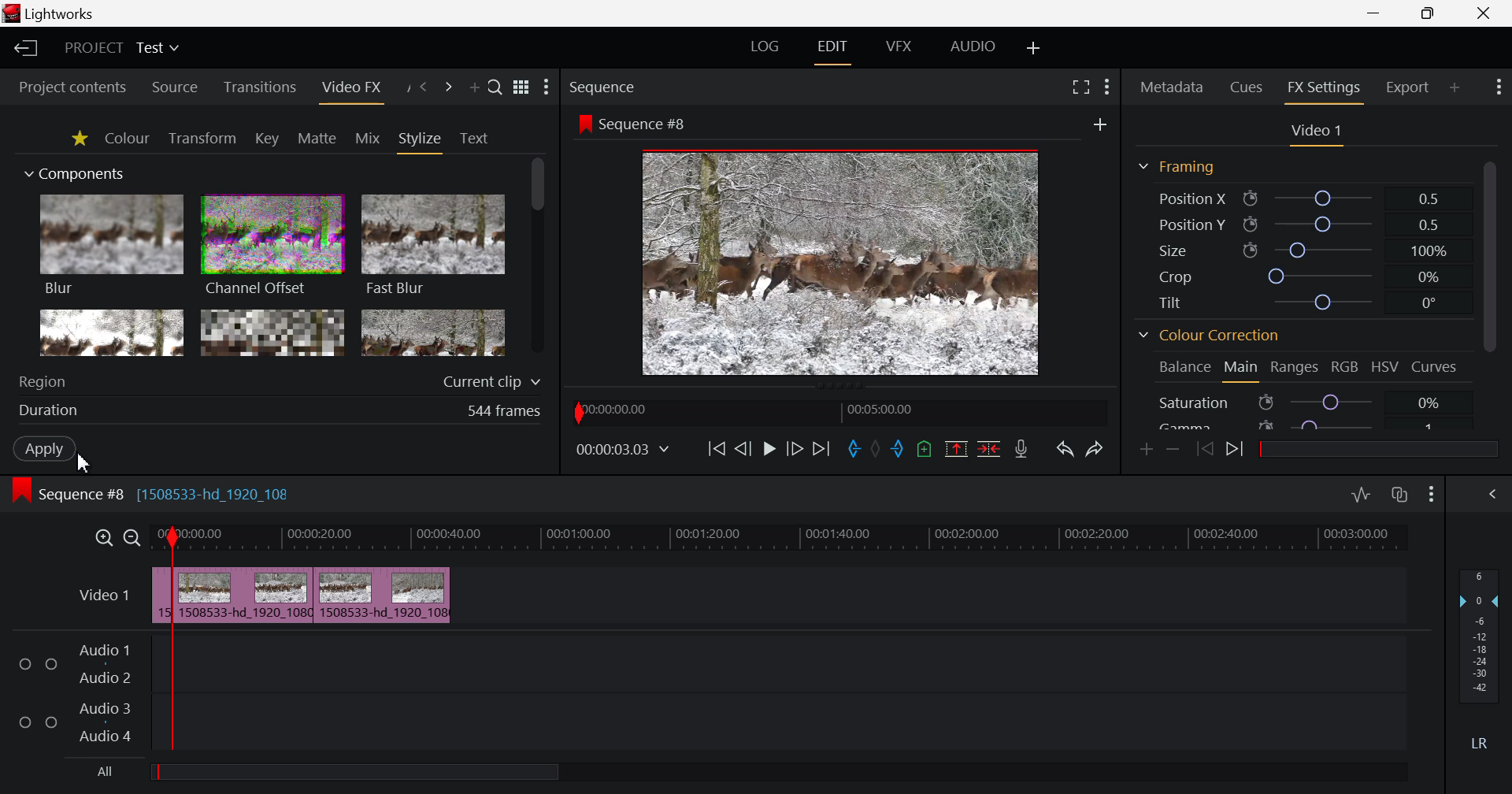 The image size is (1512, 794). Describe the element at coordinates (765, 47) in the screenshot. I see `LOG Layout` at that location.